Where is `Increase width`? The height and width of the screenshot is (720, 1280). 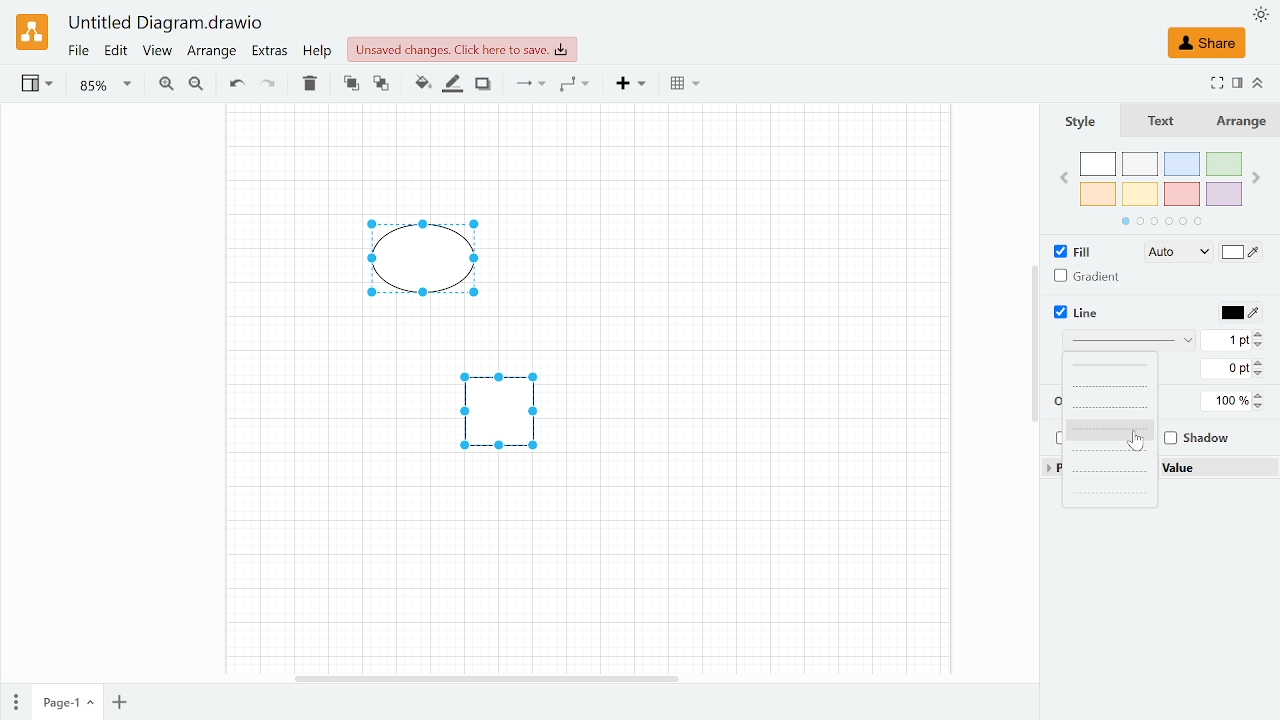
Increase width is located at coordinates (1264, 334).